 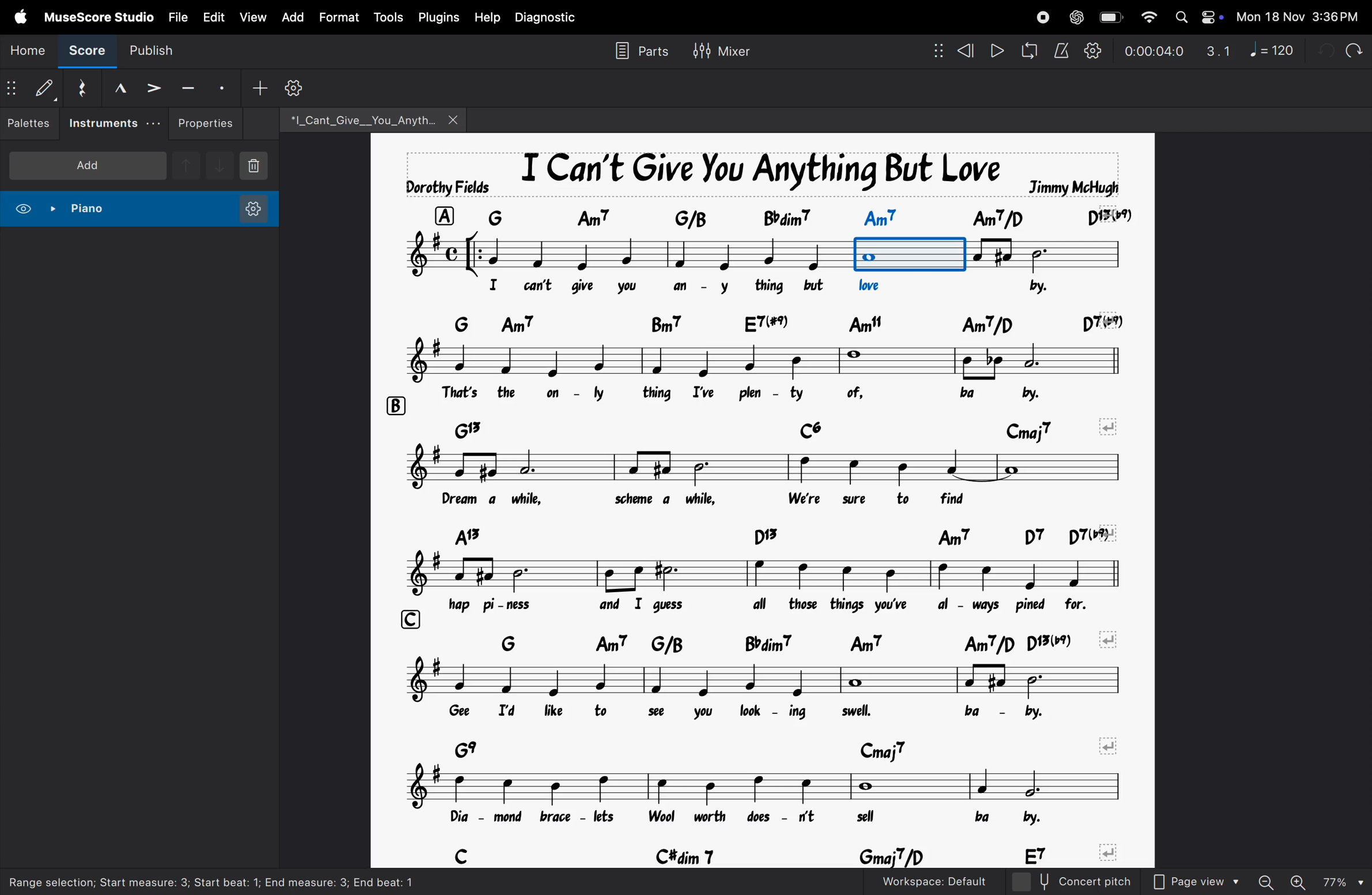 What do you see at coordinates (1149, 51) in the screenshot?
I see `time frame` at bounding box center [1149, 51].